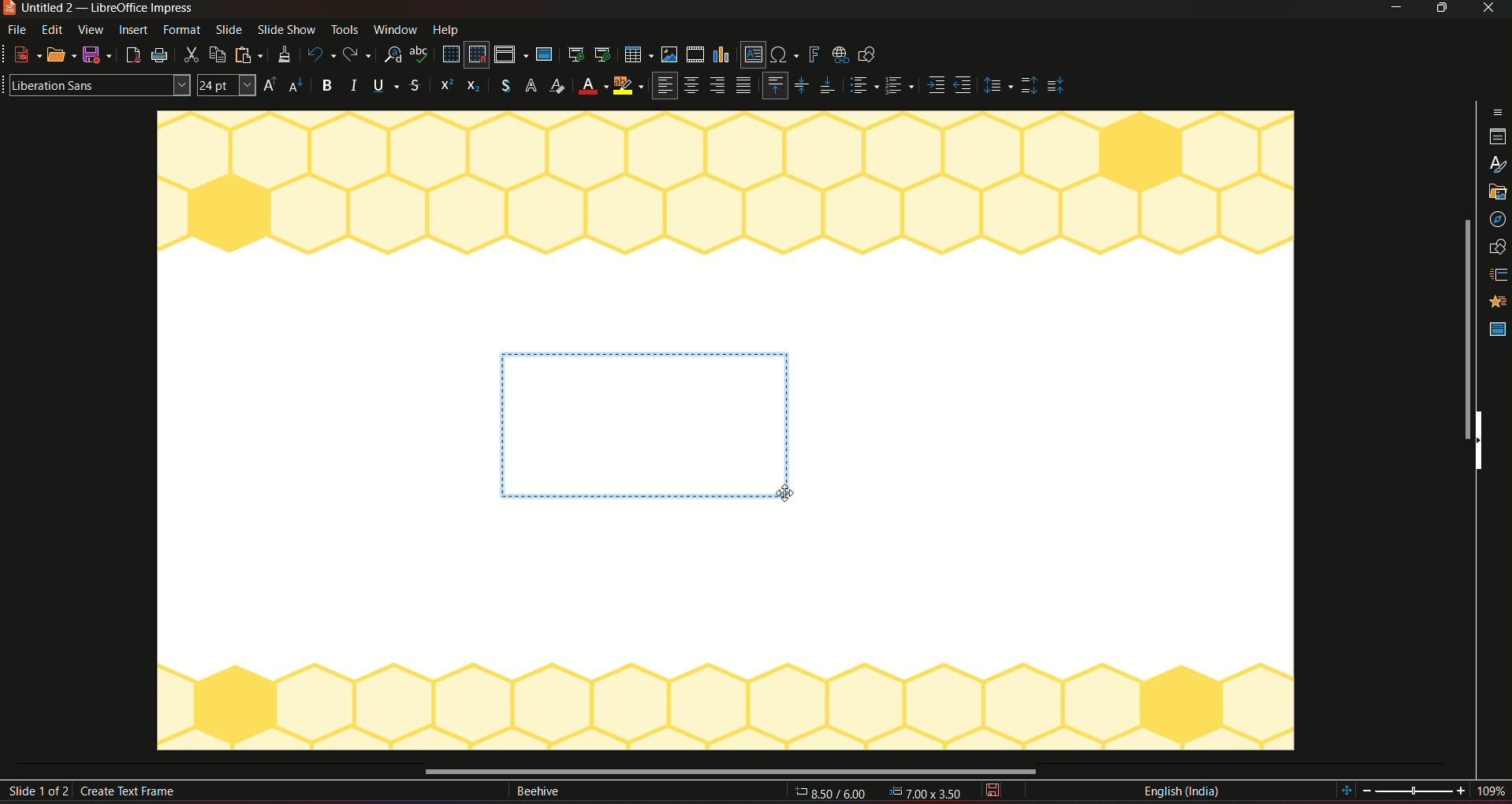  I want to click on help, so click(448, 28).